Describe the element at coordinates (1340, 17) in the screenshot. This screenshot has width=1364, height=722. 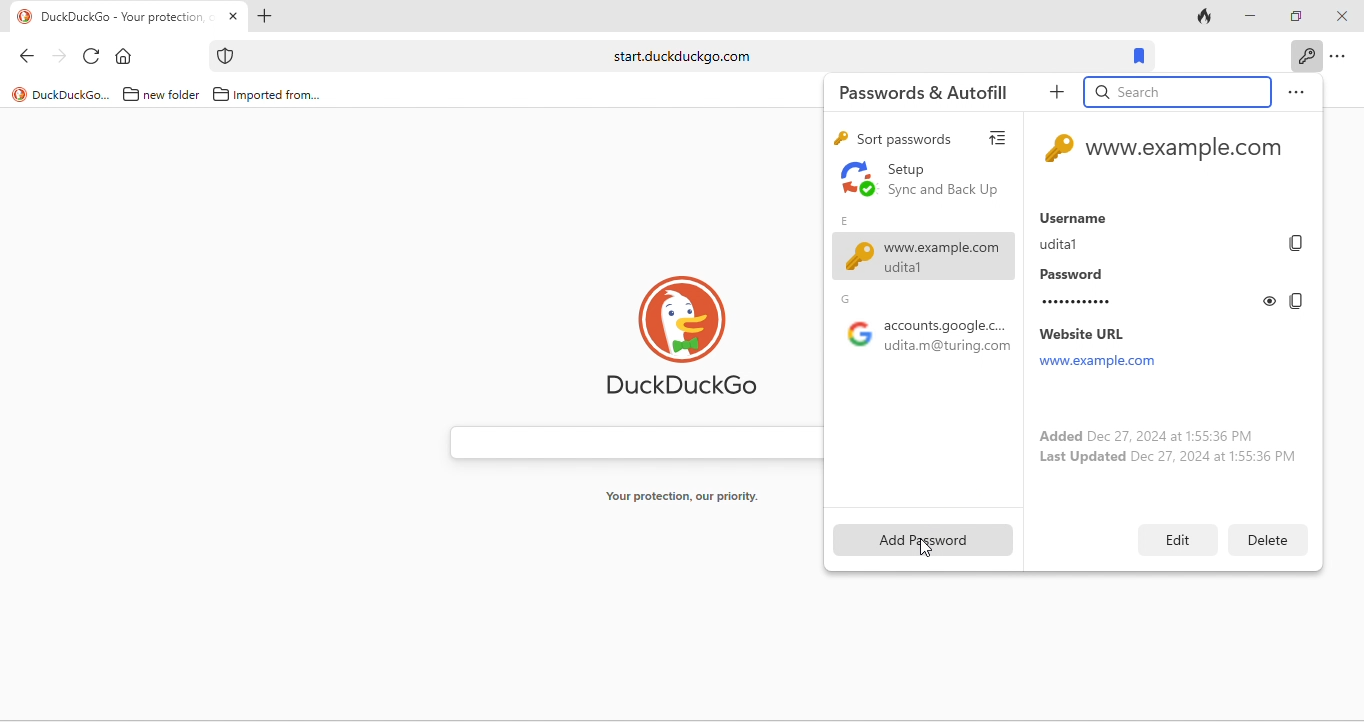
I see `close` at that location.